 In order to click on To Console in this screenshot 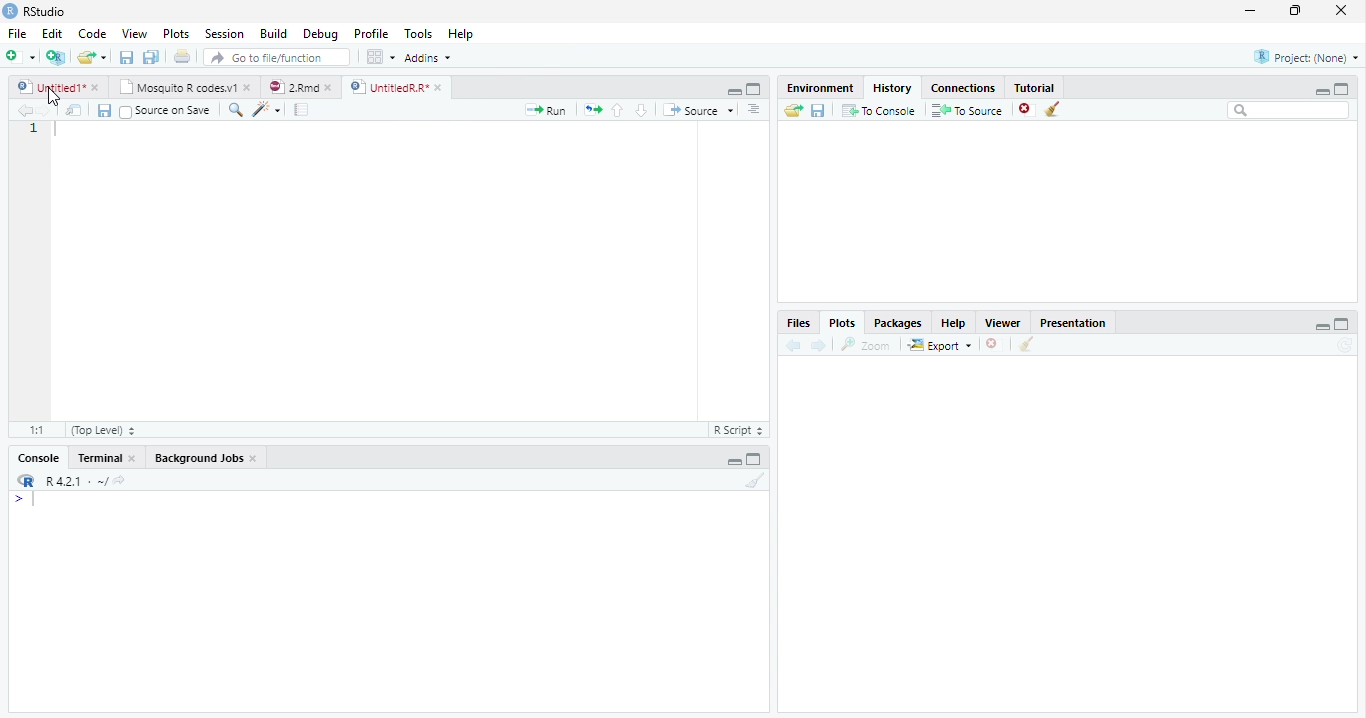, I will do `click(880, 111)`.